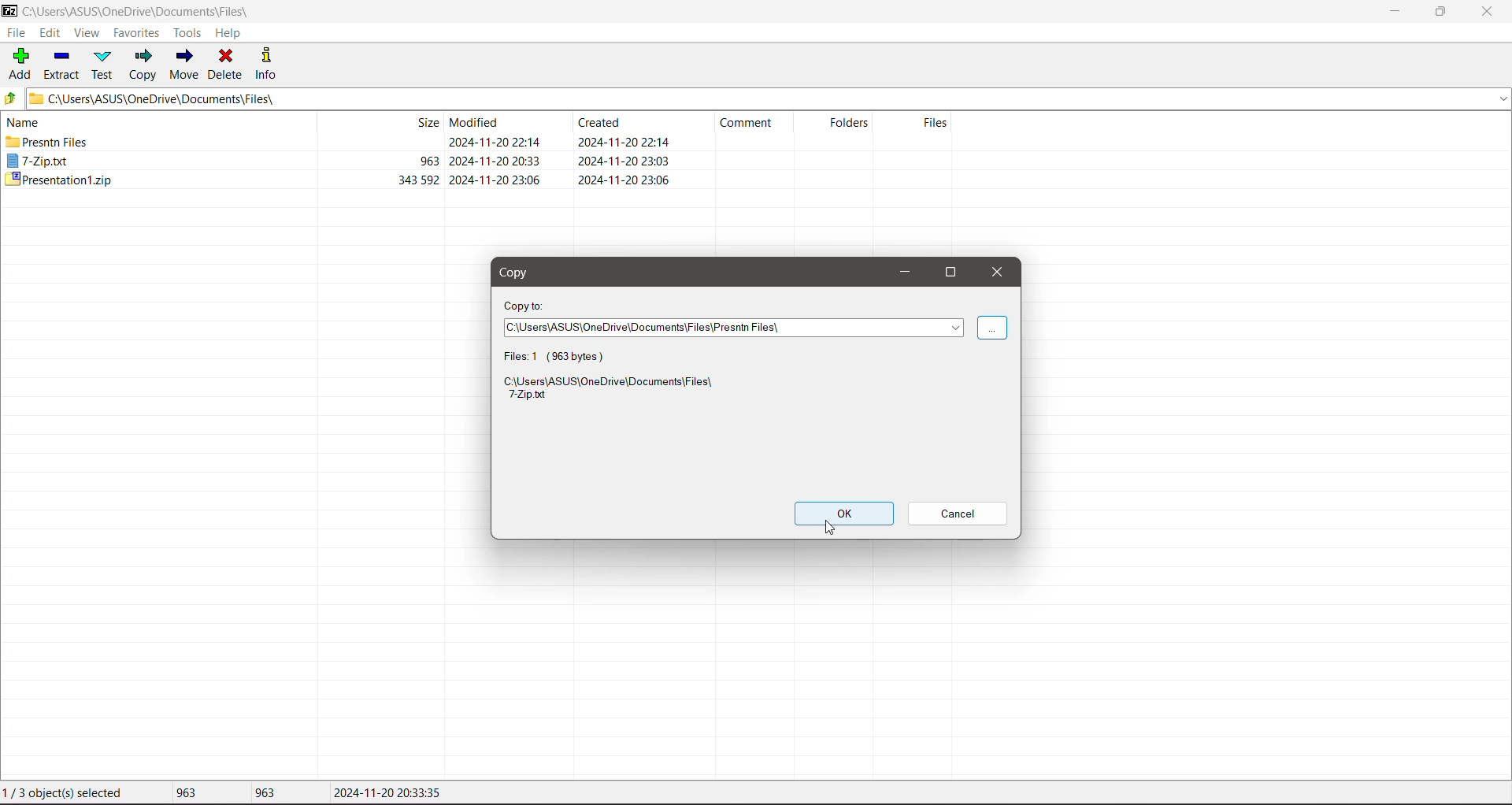  I want to click on Delete, so click(227, 63).